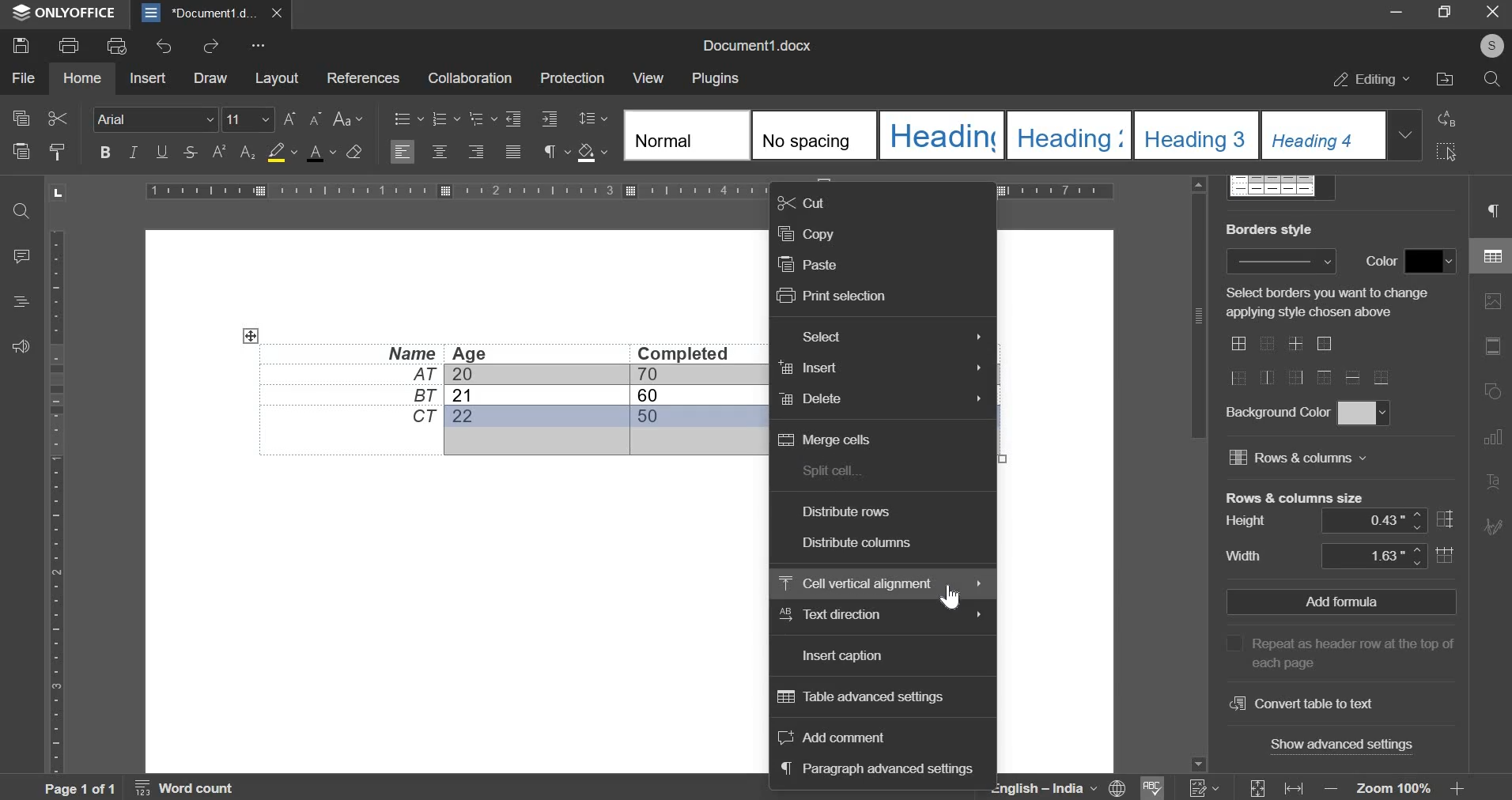 This screenshot has height=800, width=1512. What do you see at coordinates (831, 735) in the screenshot?
I see `add comment` at bounding box center [831, 735].